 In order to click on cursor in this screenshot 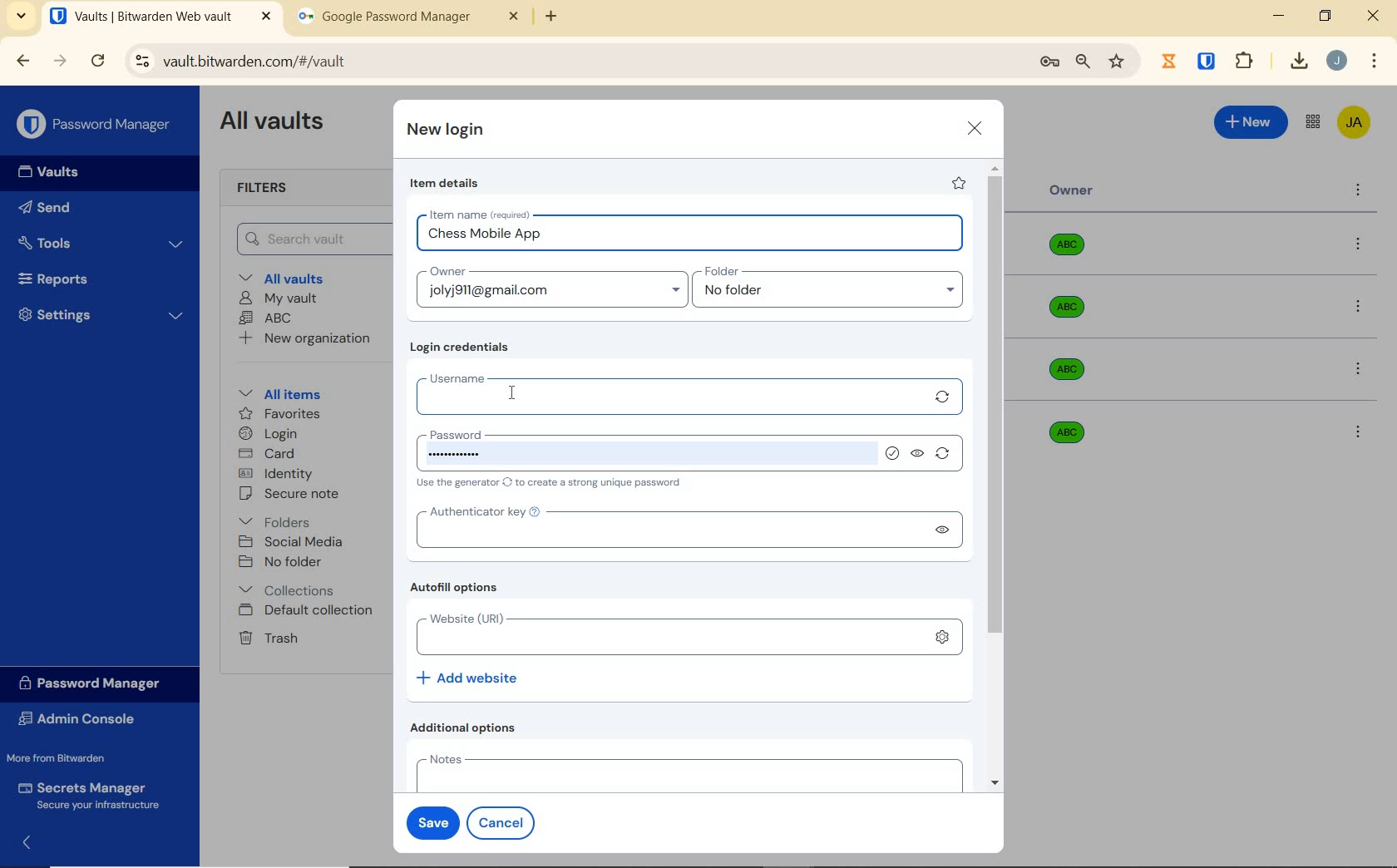, I will do `click(514, 393)`.